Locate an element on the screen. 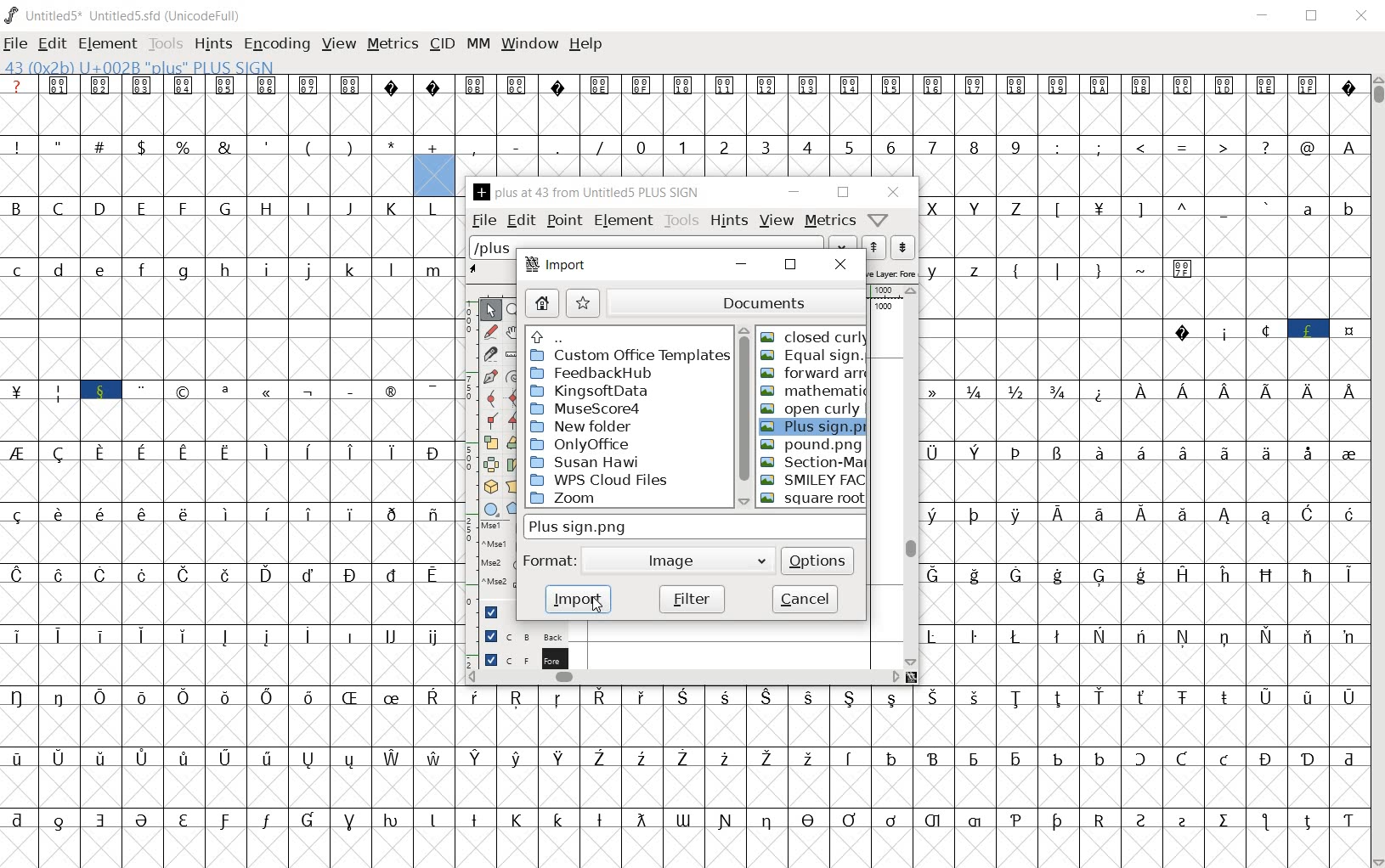 This screenshot has height=868, width=1385. special characters is located at coordinates (205, 167).